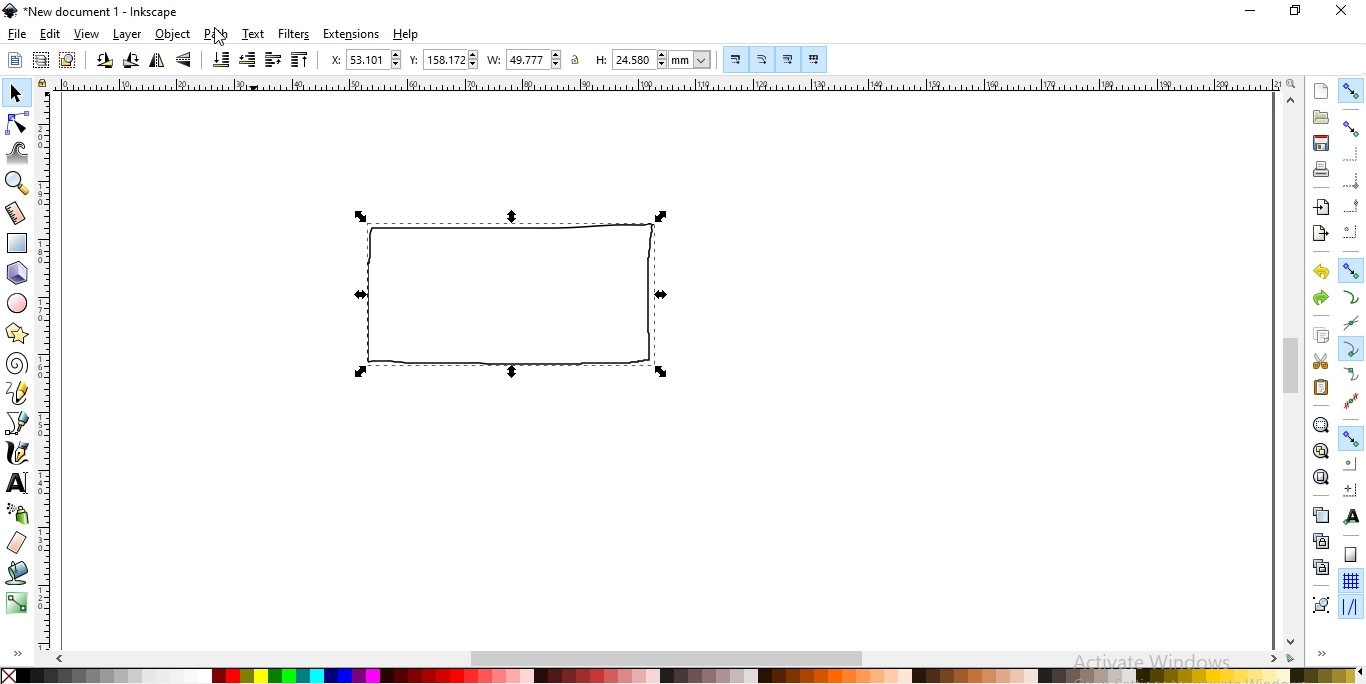 The height and width of the screenshot is (684, 1366). Describe the element at coordinates (128, 35) in the screenshot. I see `layer` at that location.